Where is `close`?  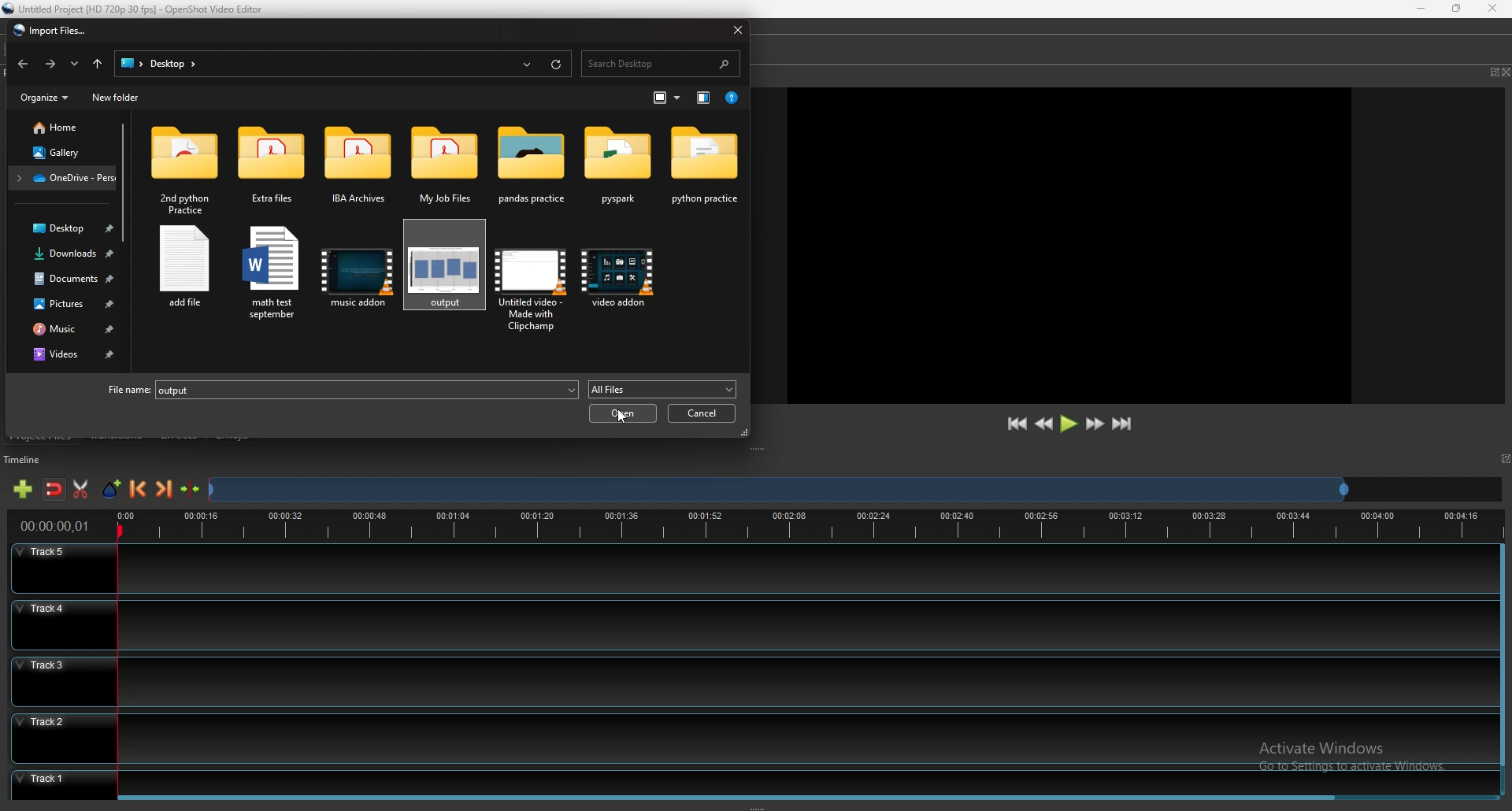
close is located at coordinates (738, 28).